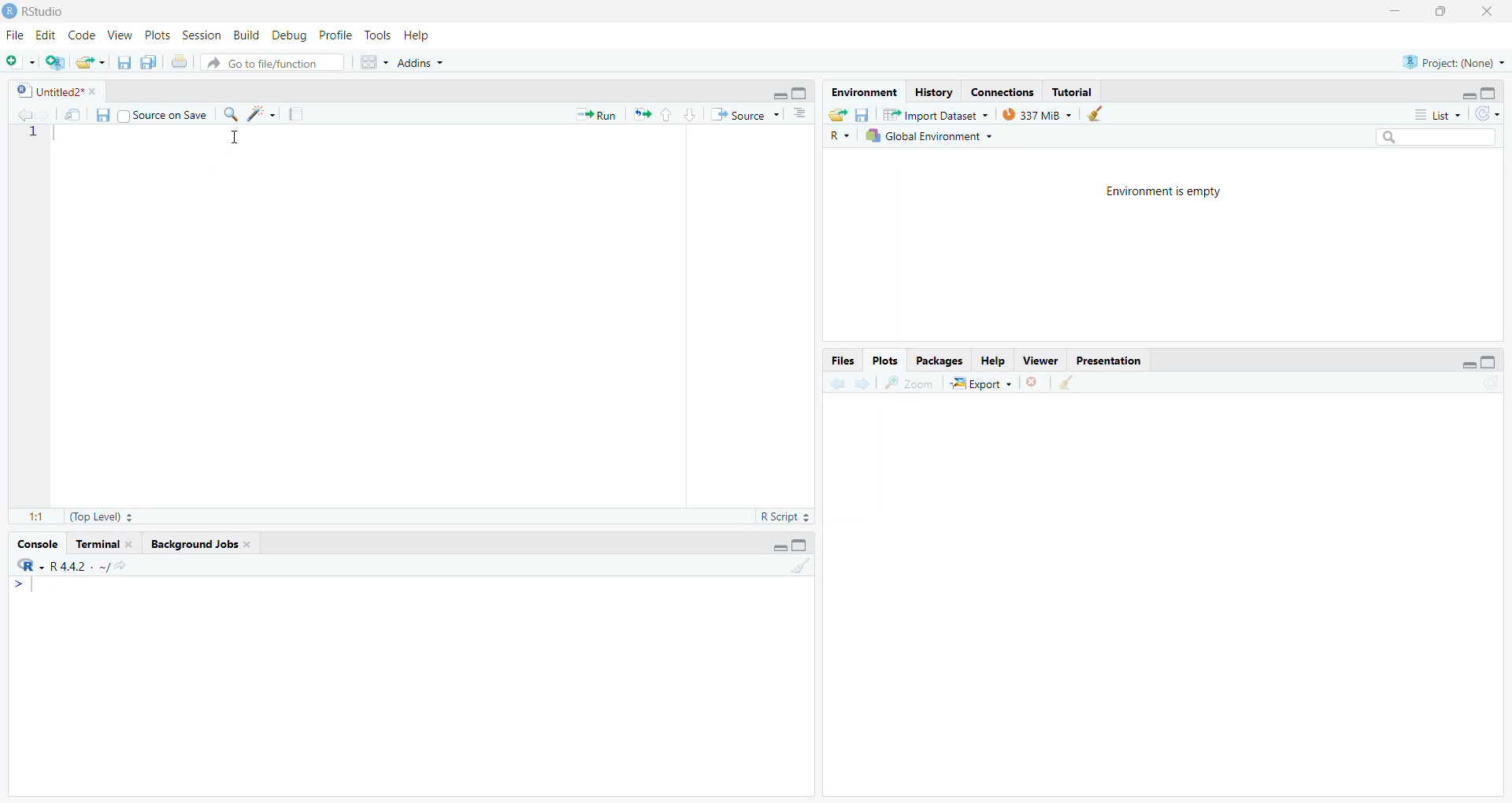  What do you see at coordinates (83, 568) in the screenshot?
I see `R - R442 . ~/` at bounding box center [83, 568].